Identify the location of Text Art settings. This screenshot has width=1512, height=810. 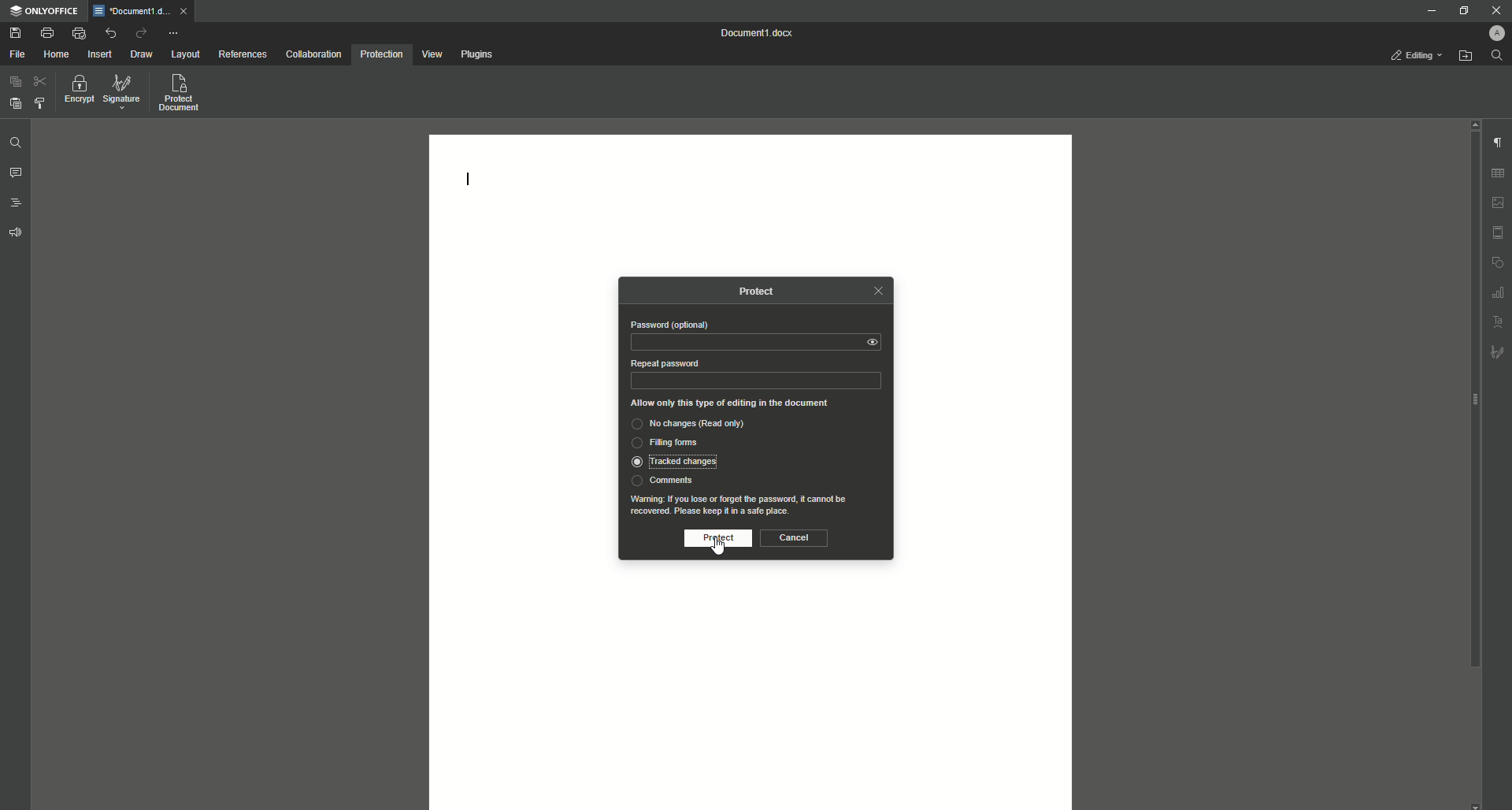
(1499, 321).